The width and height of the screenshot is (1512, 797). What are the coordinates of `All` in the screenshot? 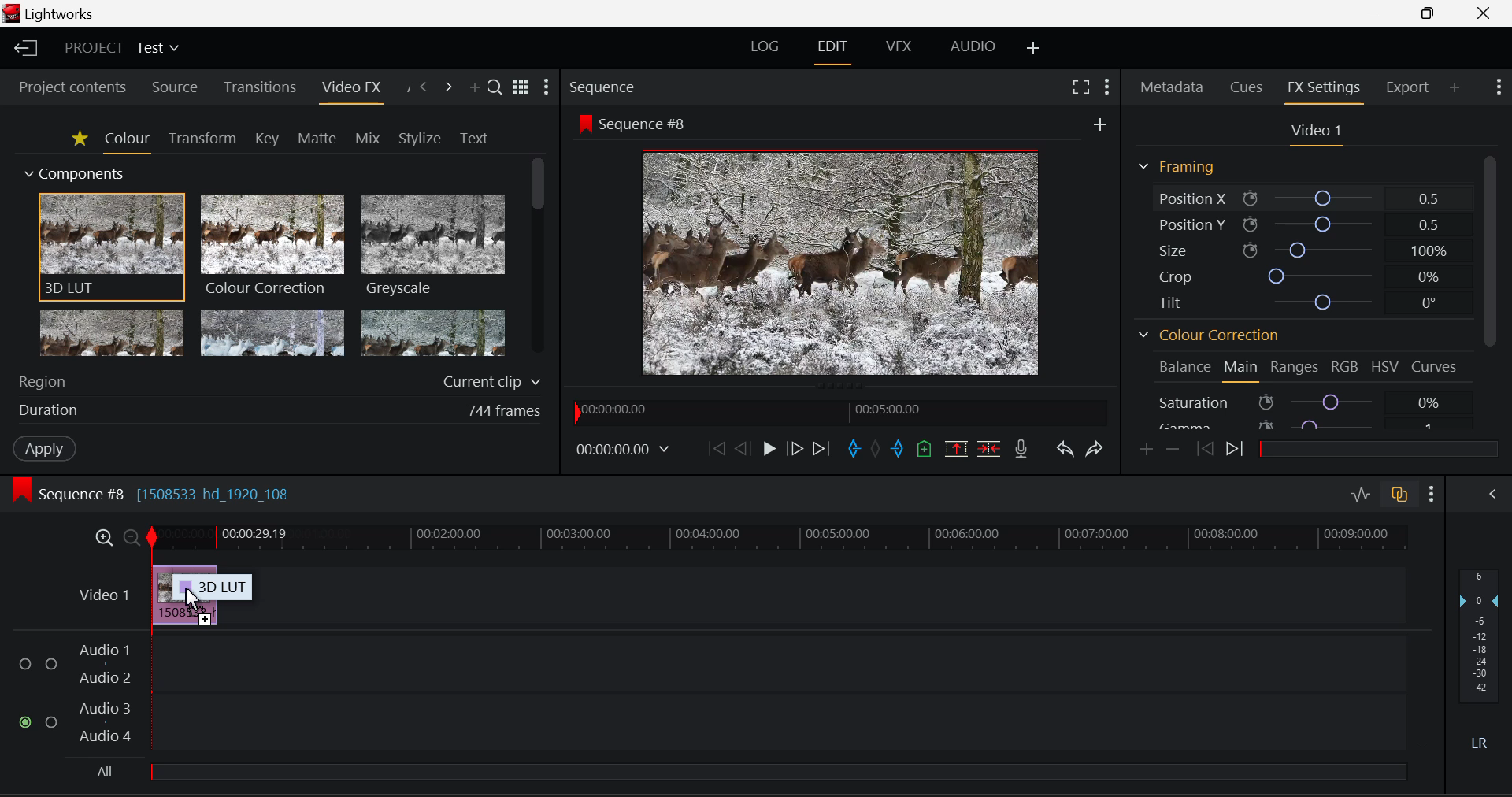 It's located at (750, 770).